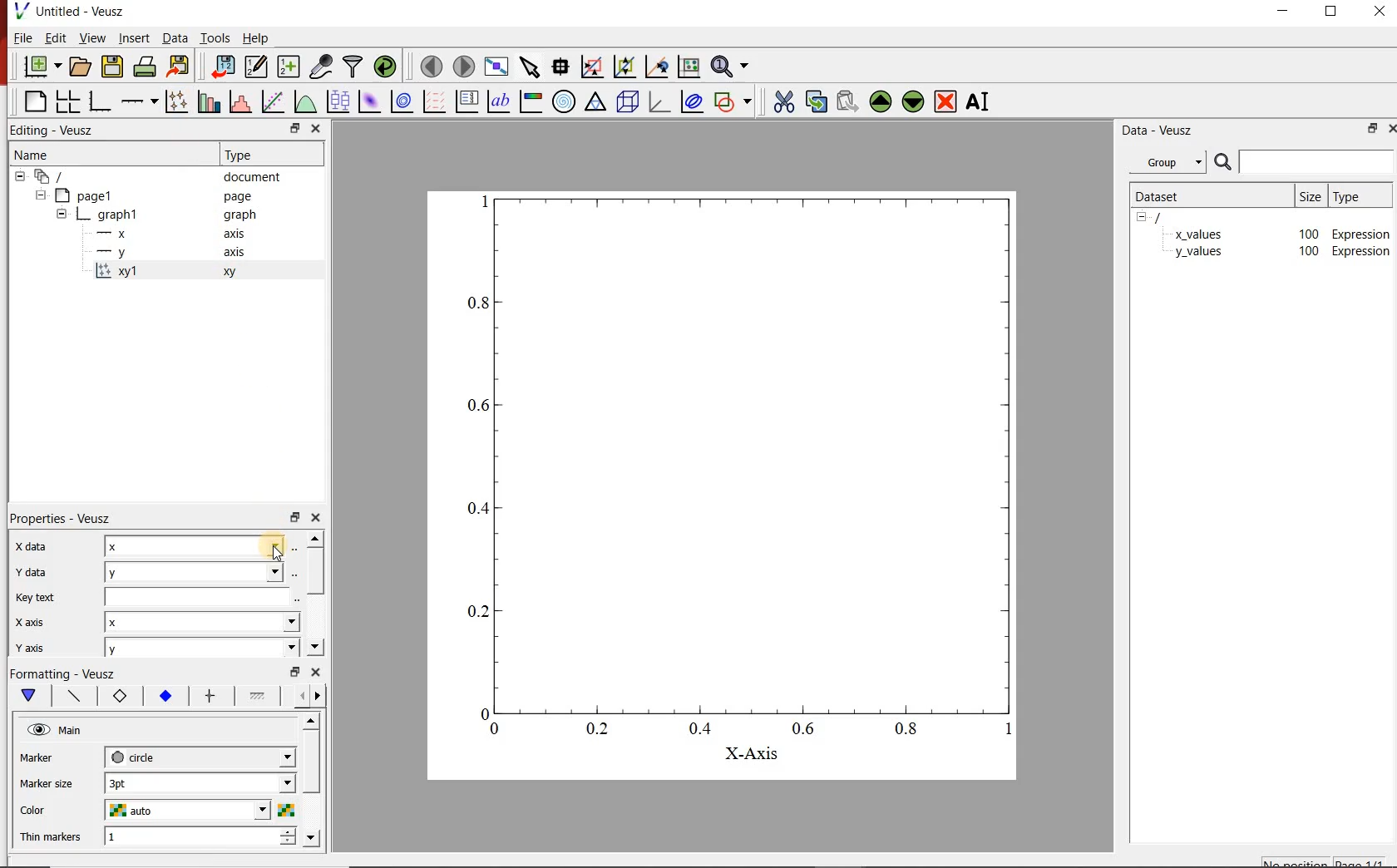  What do you see at coordinates (37, 649) in the screenshot?
I see `| Y ais` at bounding box center [37, 649].